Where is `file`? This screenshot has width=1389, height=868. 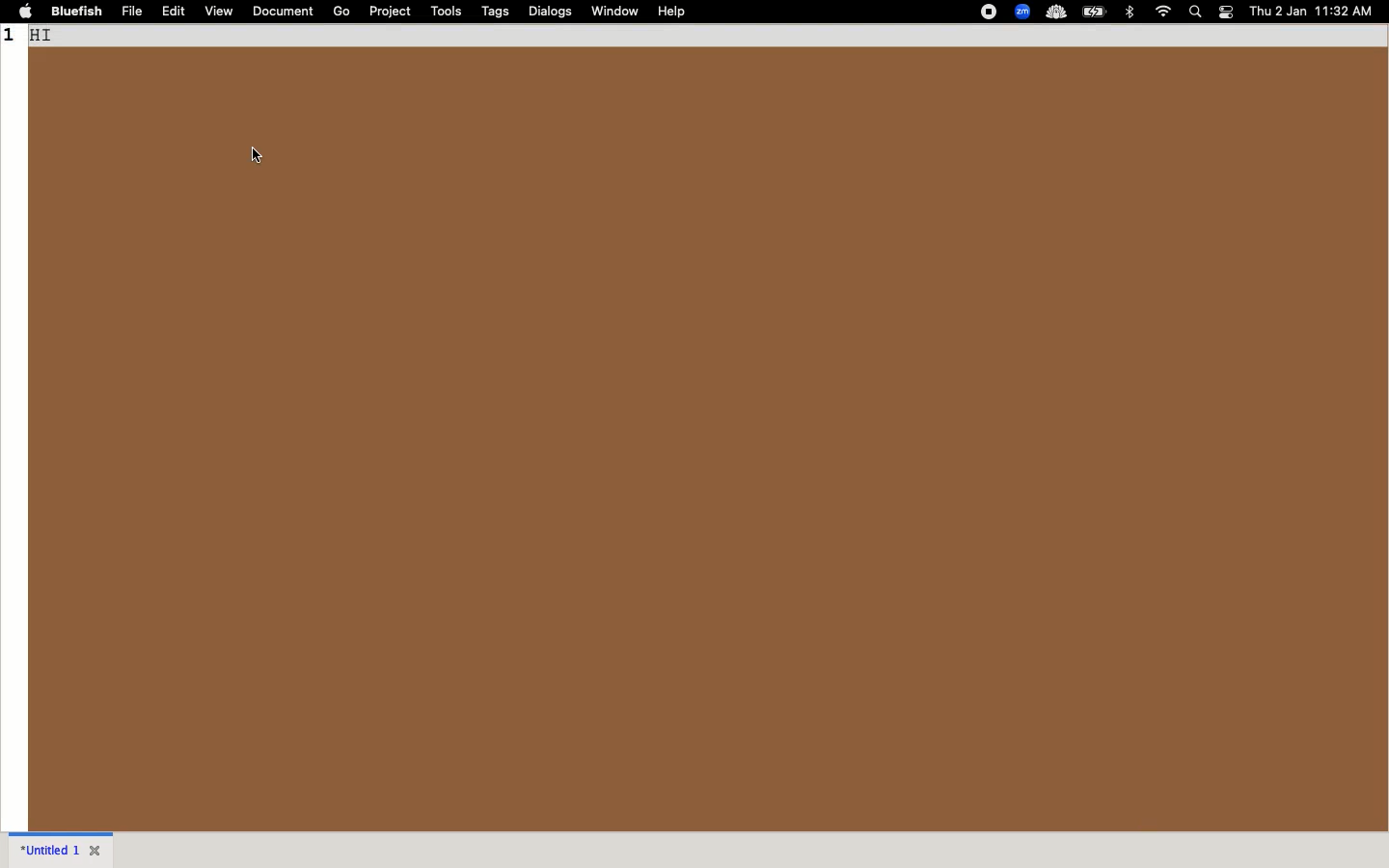 file is located at coordinates (135, 13).